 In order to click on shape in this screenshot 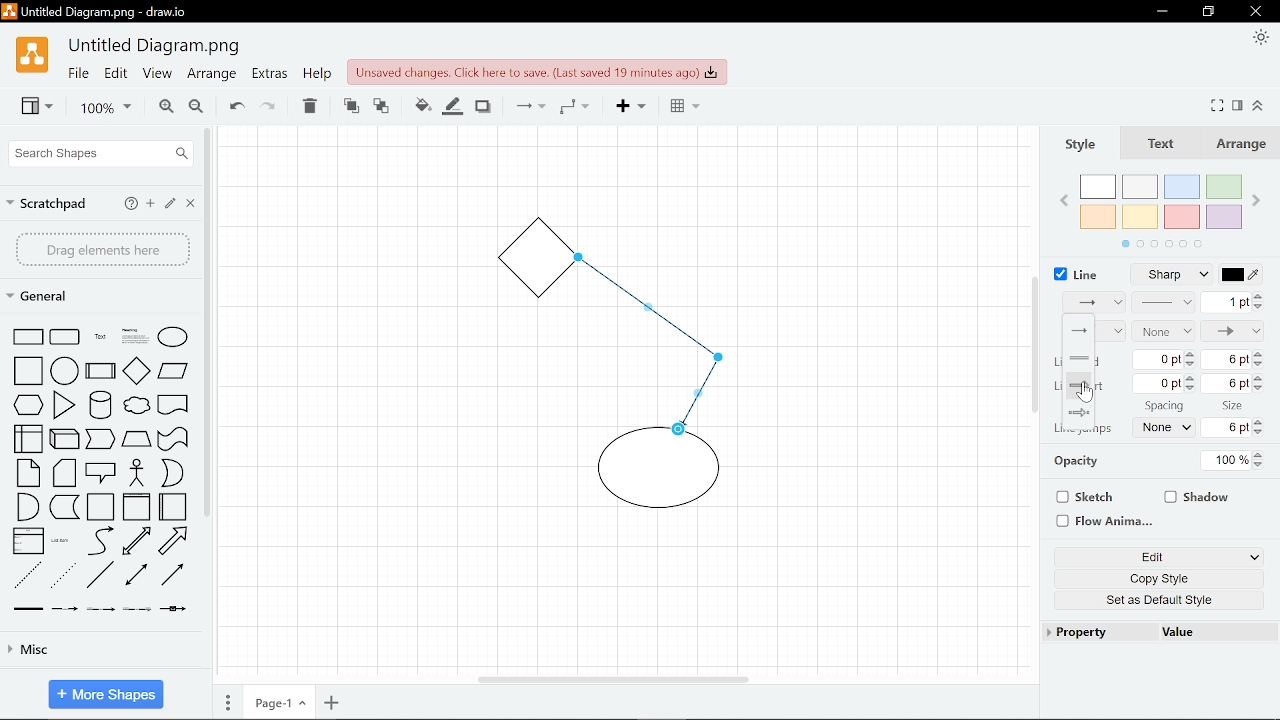, I will do `click(66, 474)`.